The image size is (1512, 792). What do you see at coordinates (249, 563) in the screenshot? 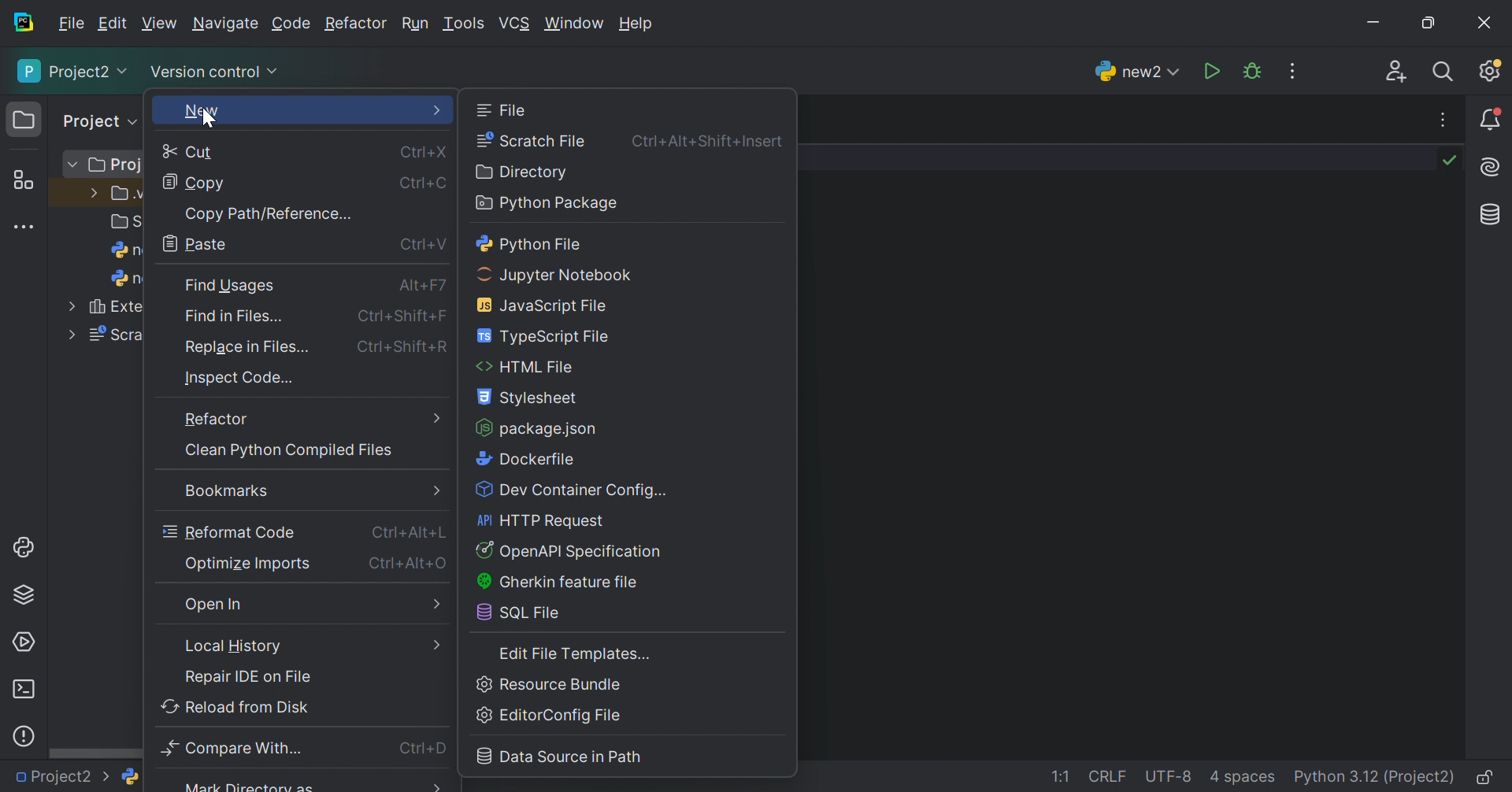
I see `Optimize imports` at bounding box center [249, 563].